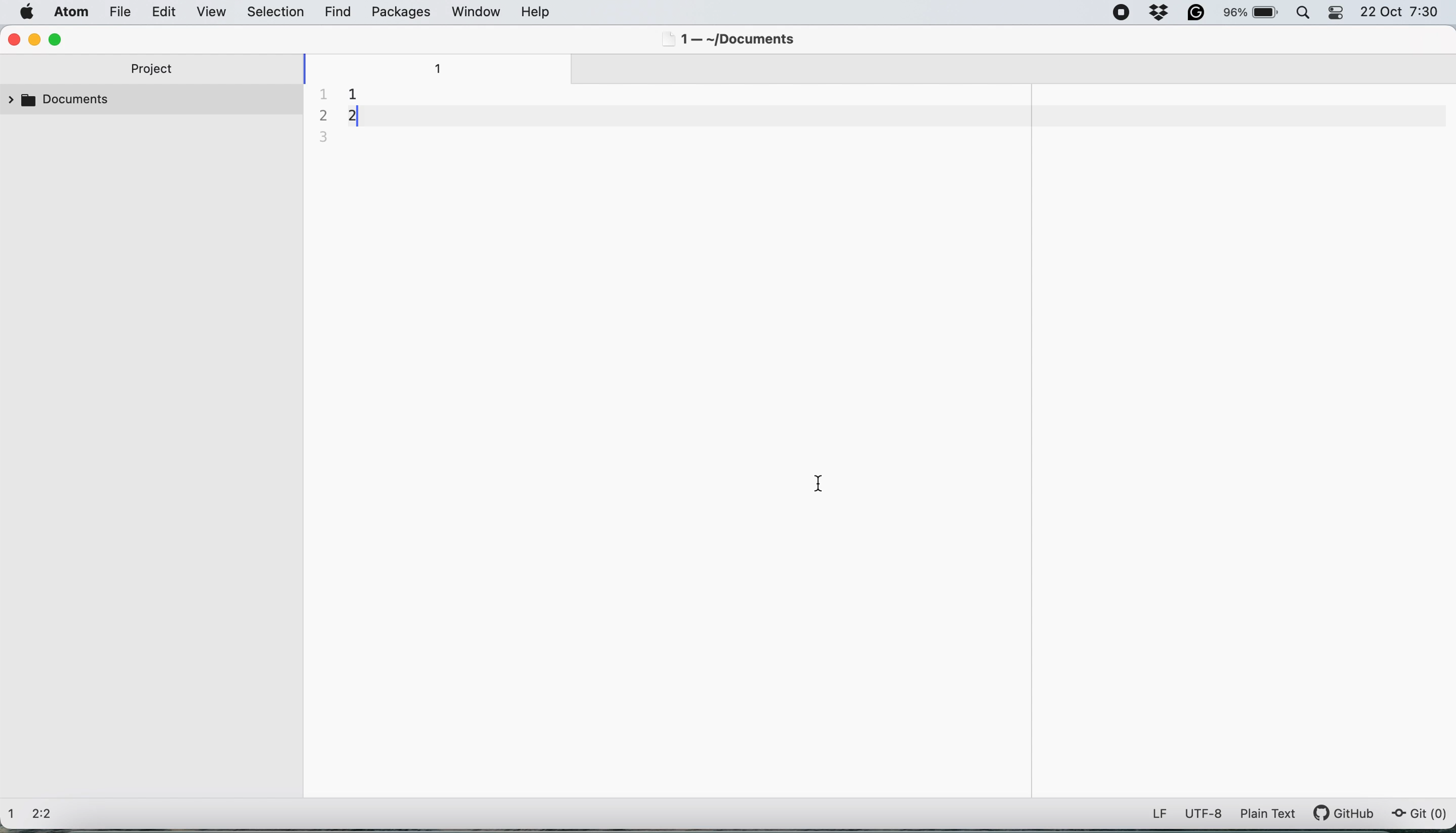 The height and width of the screenshot is (833, 1456). I want to click on 1, so click(441, 68).